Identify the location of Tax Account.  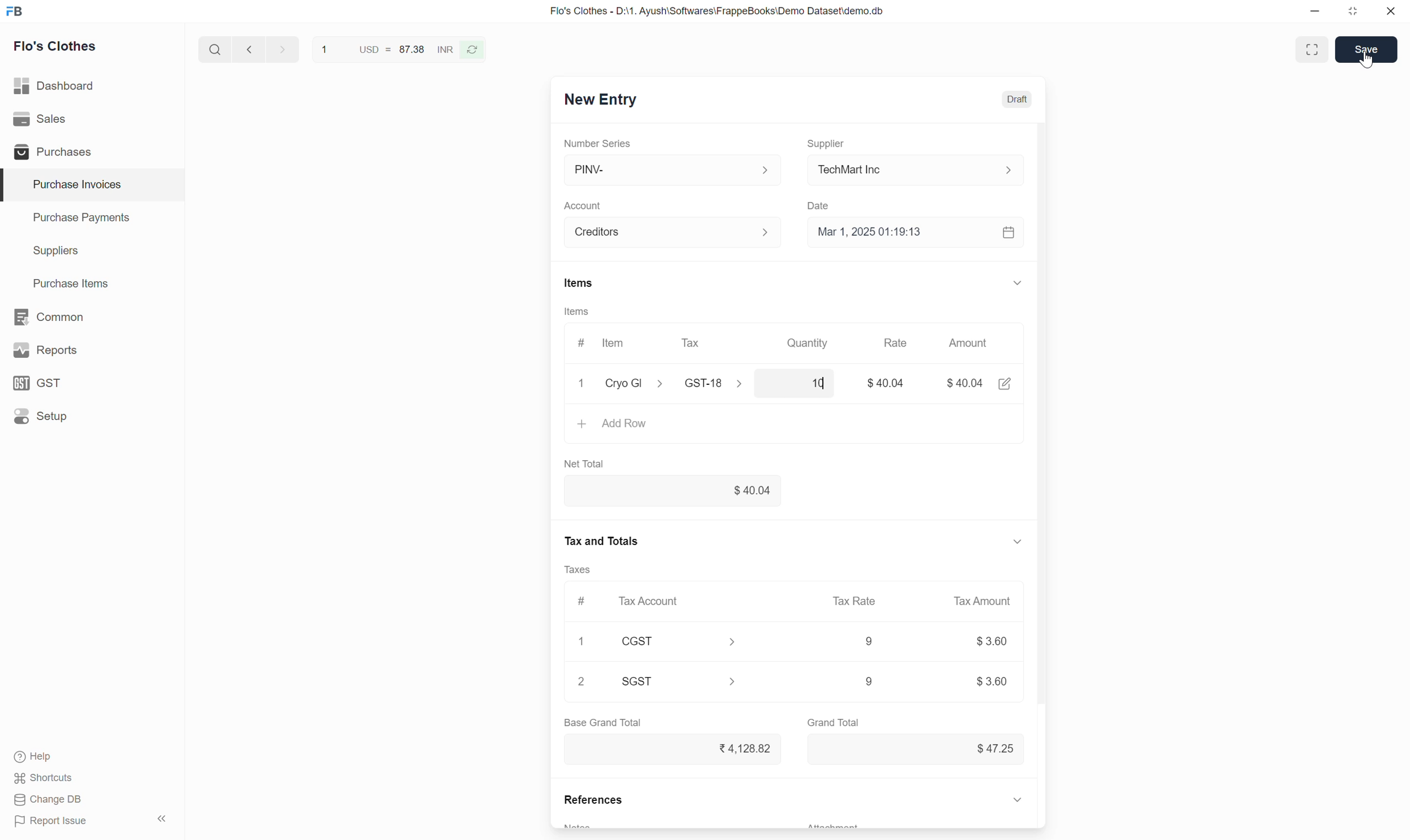
(652, 600).